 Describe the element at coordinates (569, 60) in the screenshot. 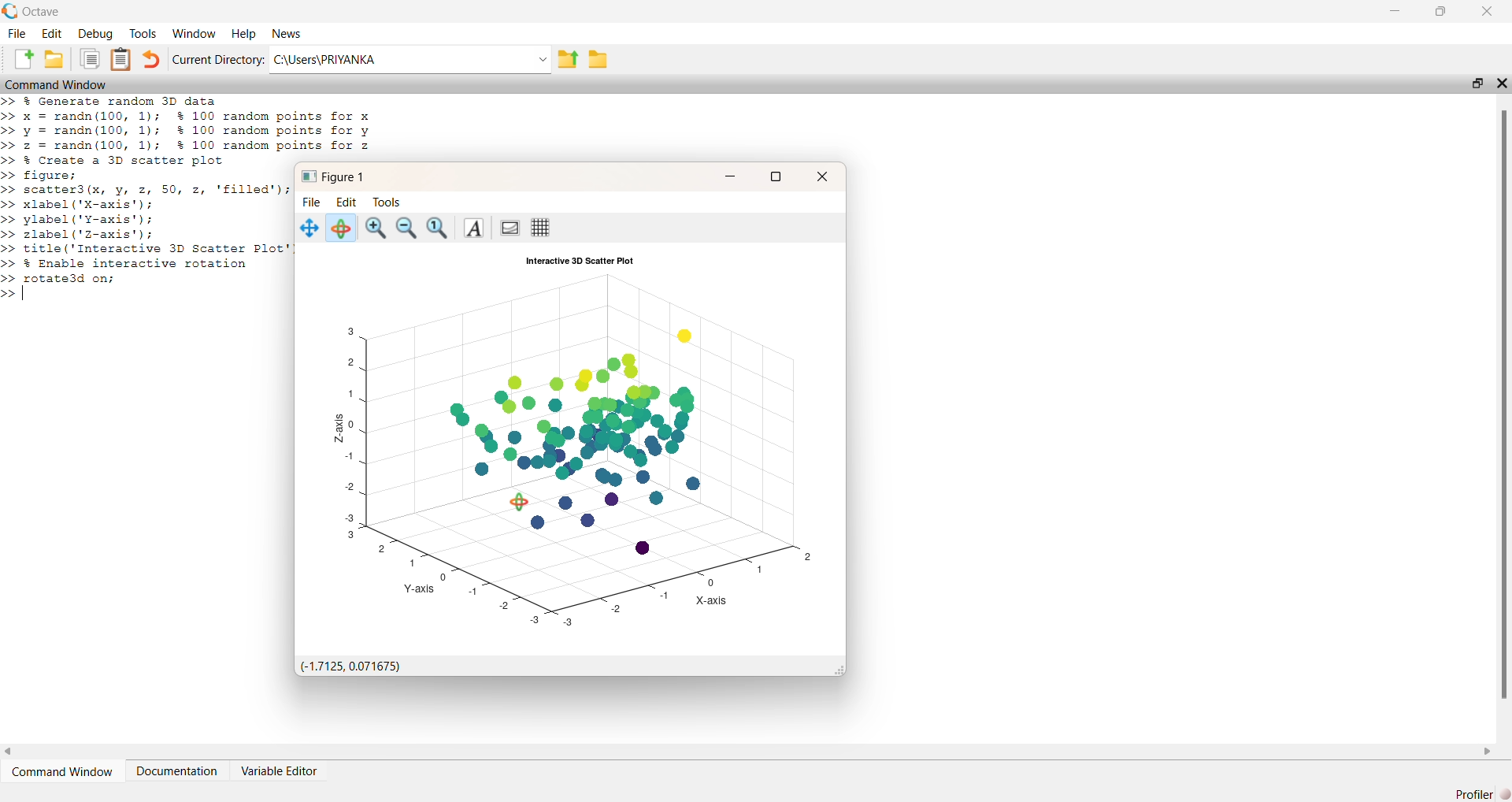

I see `parent directory` at that location.